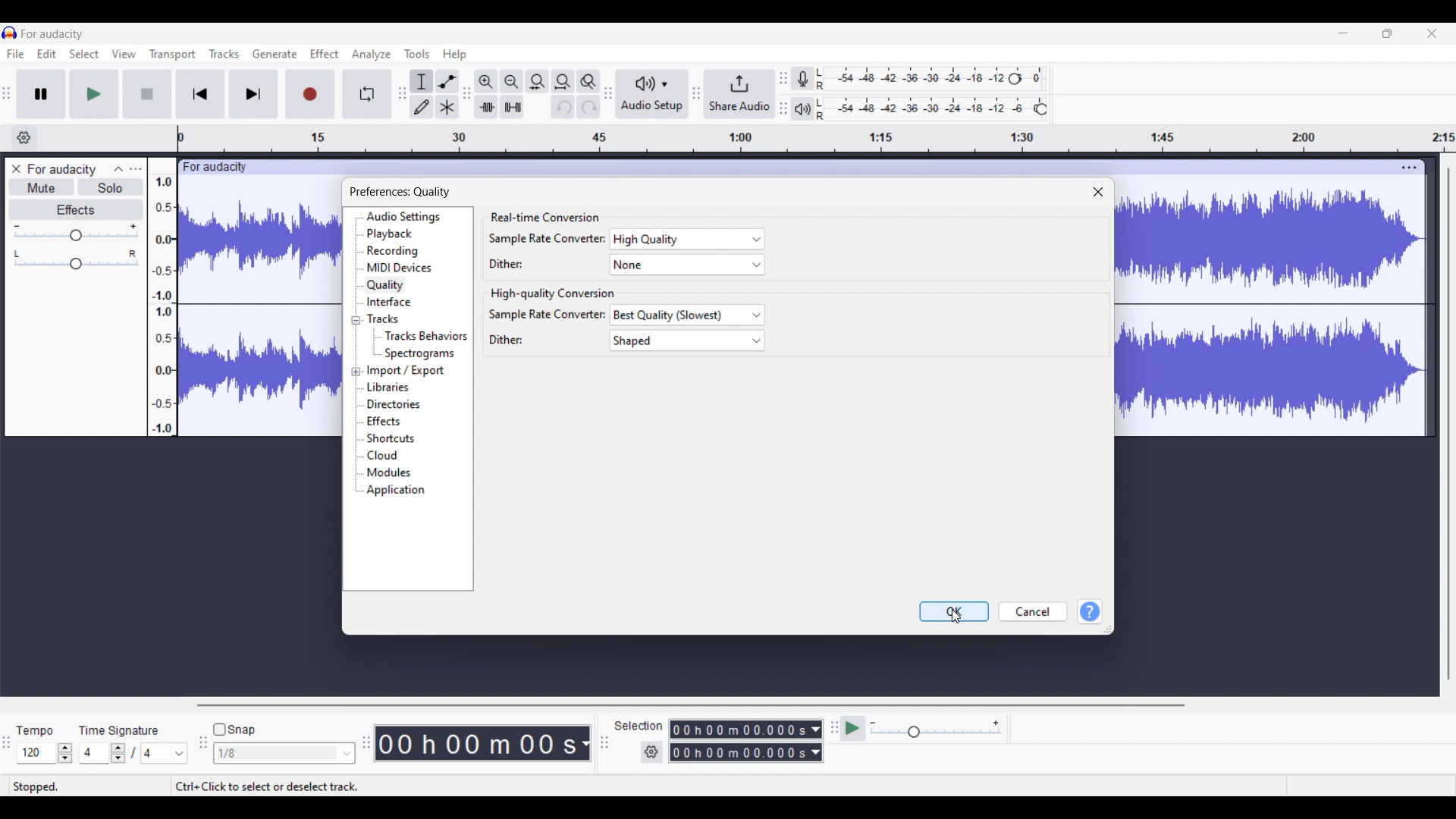  Describe the element at coordinates (454, 55) in the screenshot. I see `Help menu` at that location.